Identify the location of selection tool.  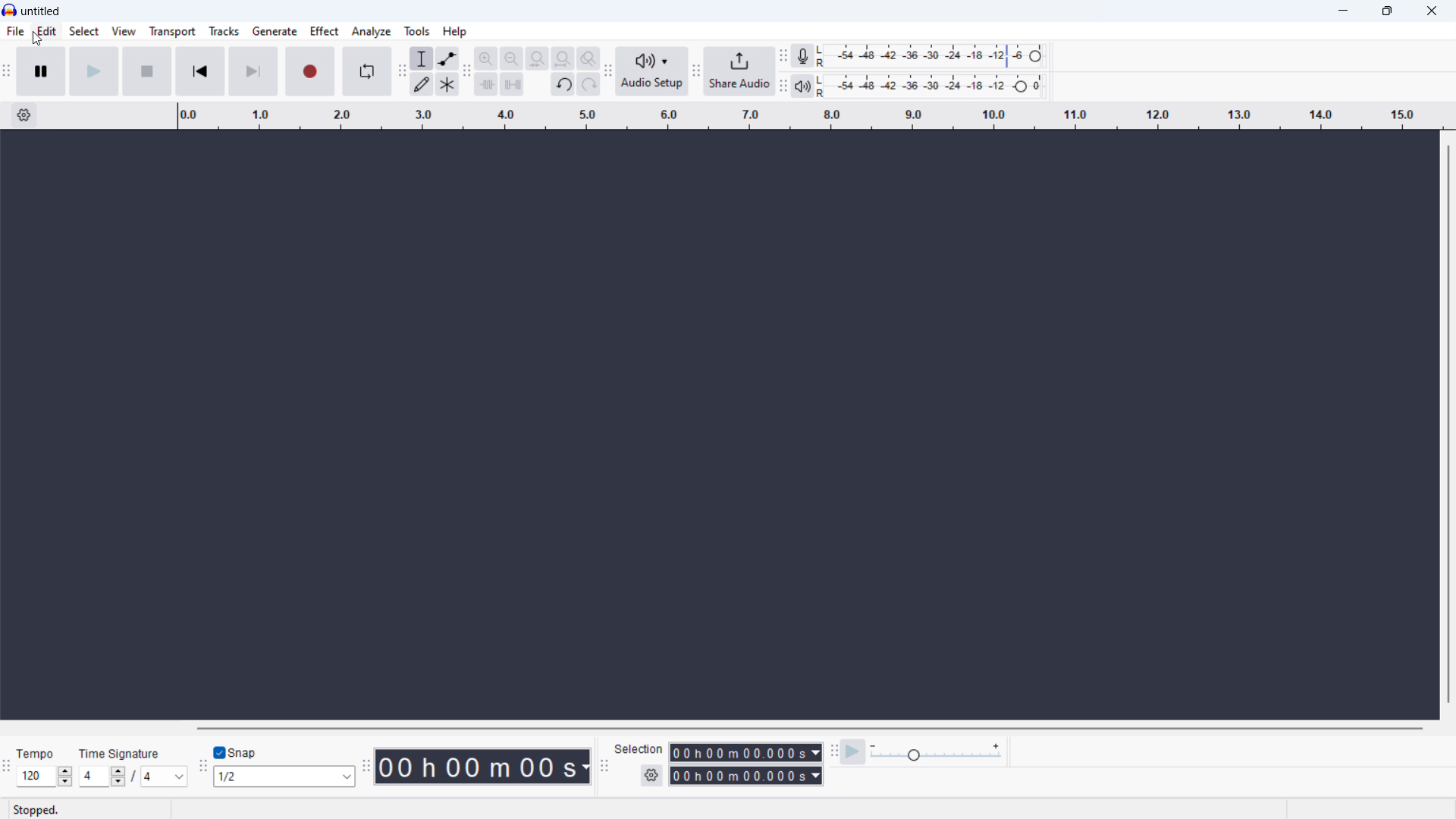
(421, 58).